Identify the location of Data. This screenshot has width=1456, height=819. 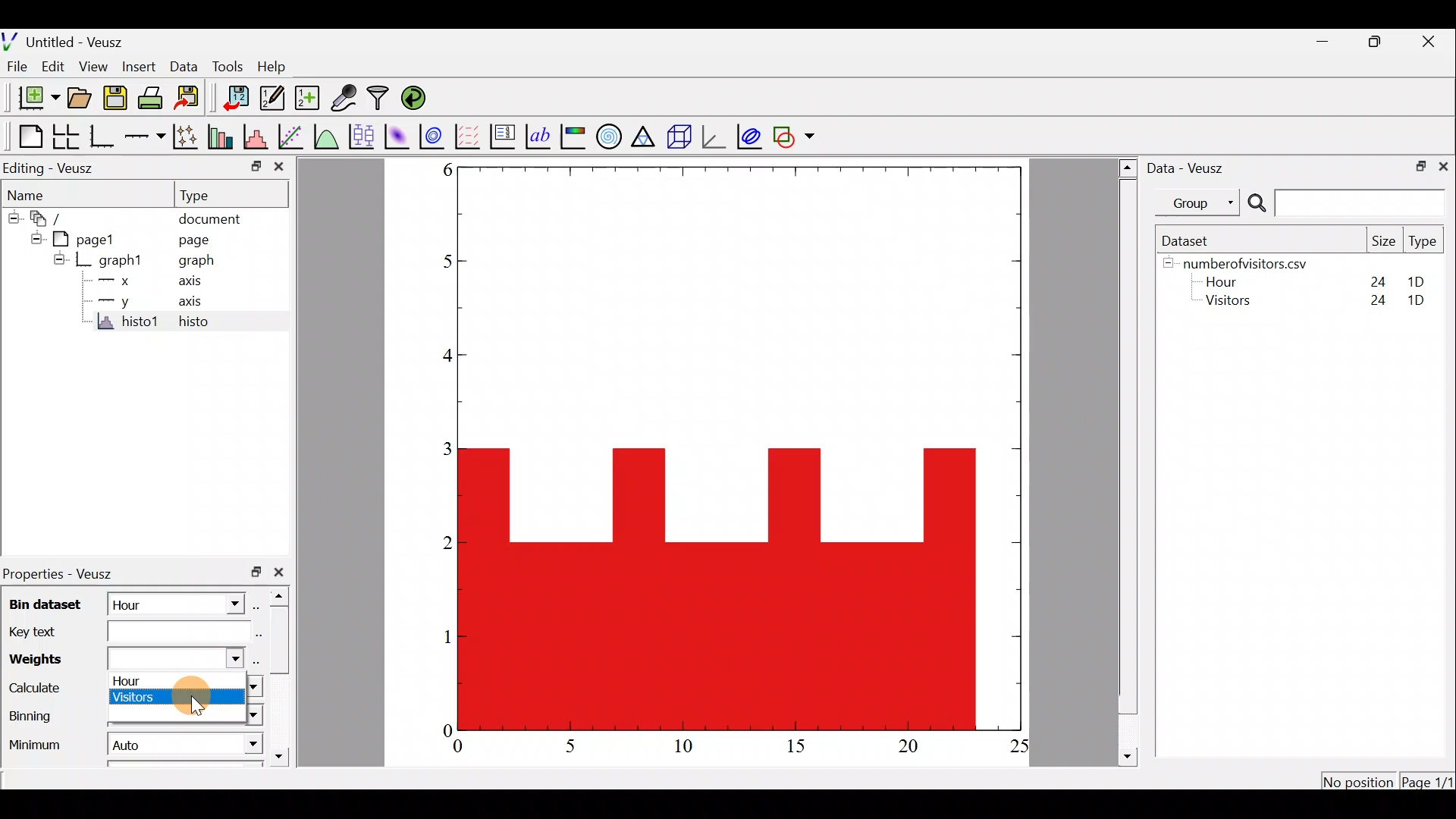
(183, 65).